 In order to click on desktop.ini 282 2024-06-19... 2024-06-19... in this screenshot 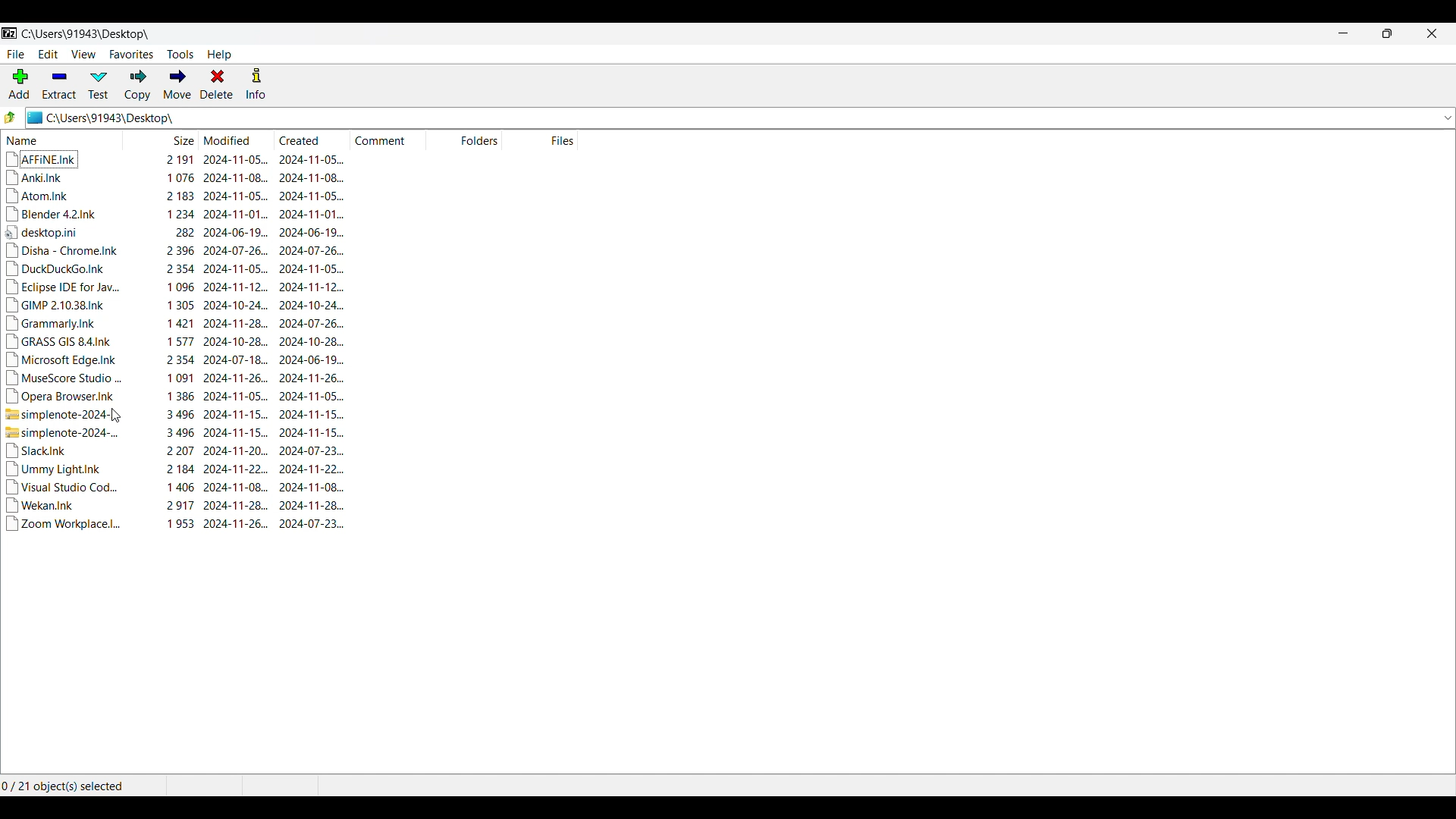, I will do `click(177, 231)`.